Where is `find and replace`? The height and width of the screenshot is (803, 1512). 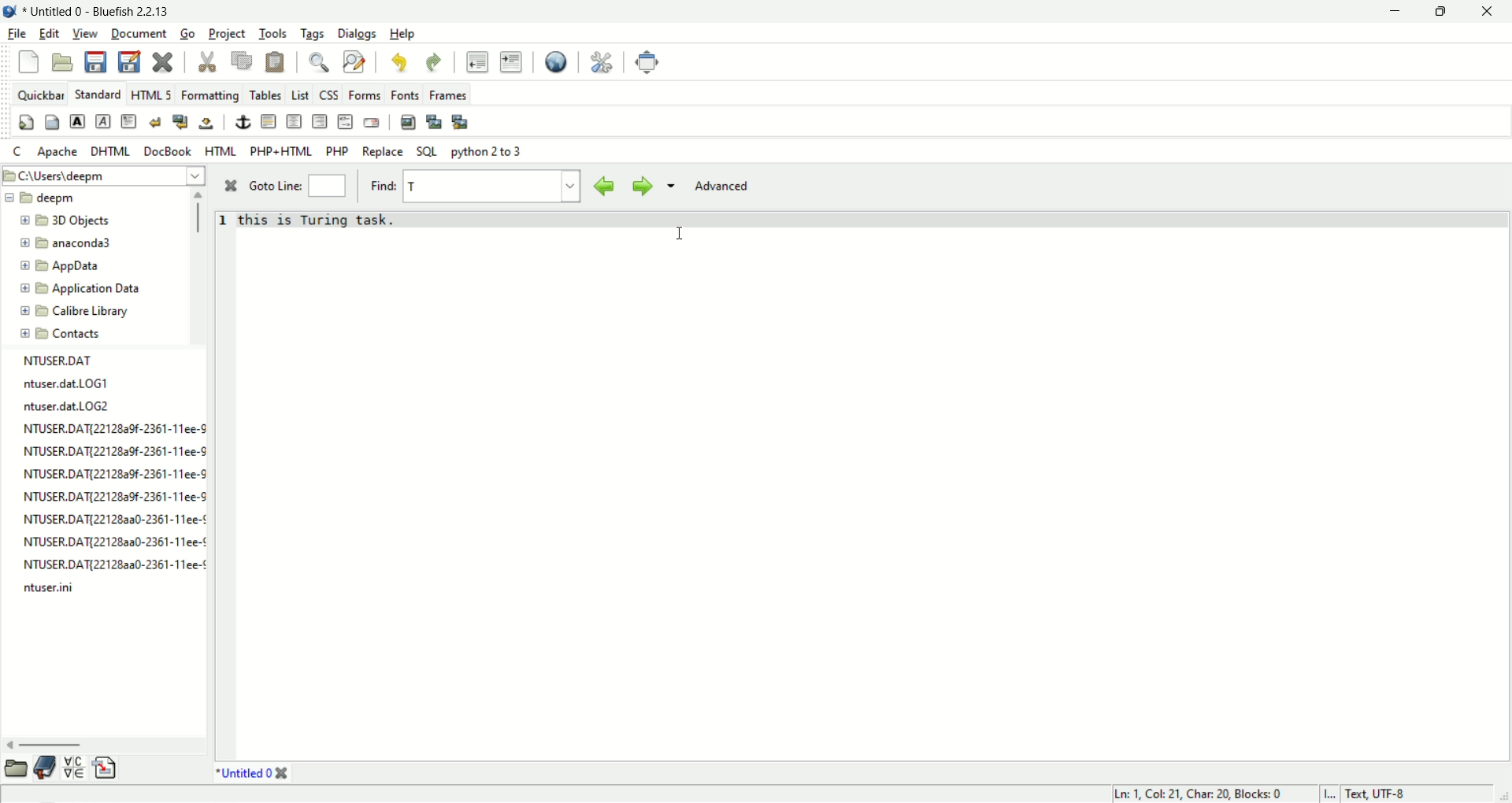
find and replace is located at coordinates (354, 62).